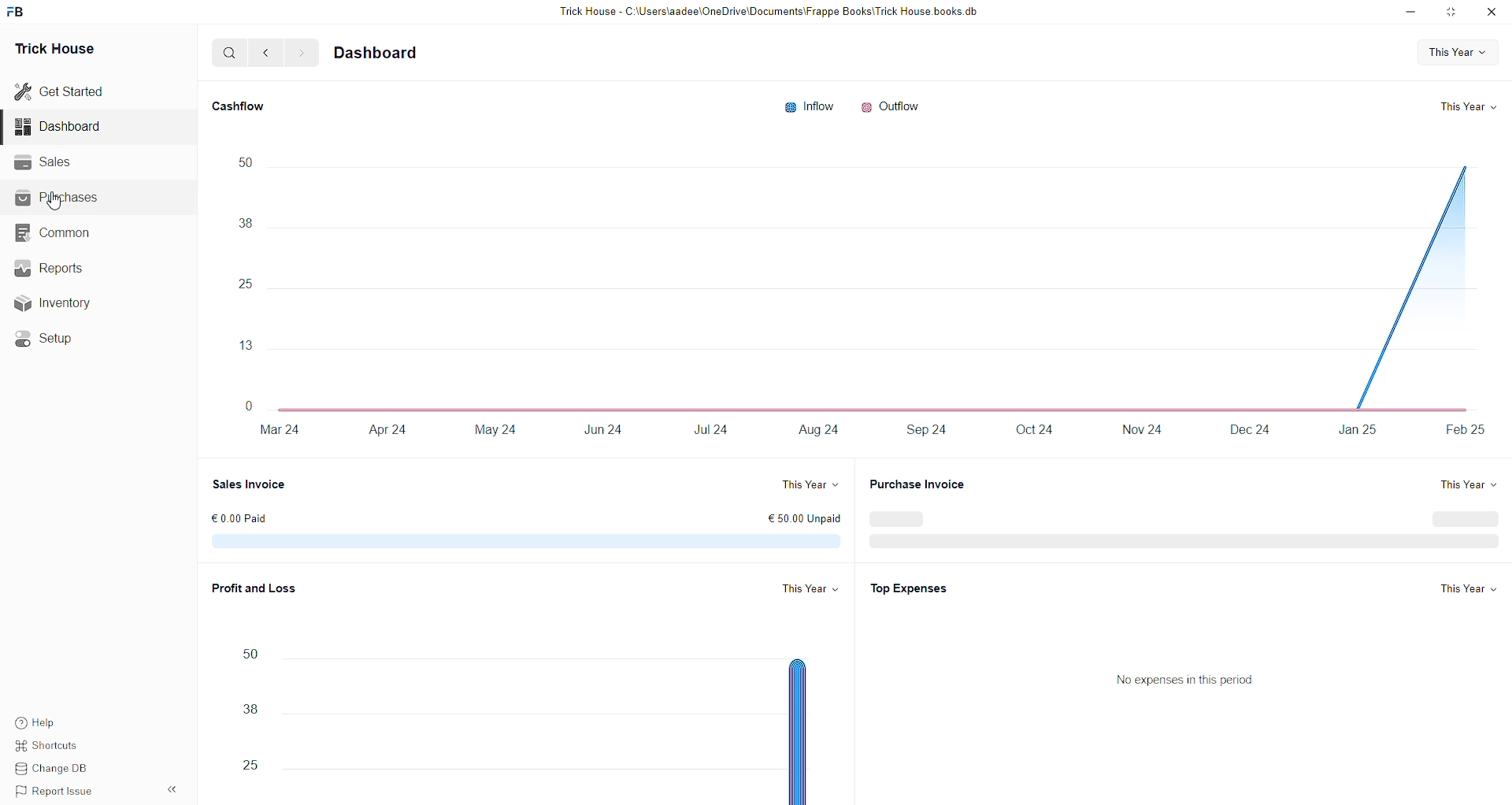 This screenshot has width=1512, height=805. I want to click on This Year , so click(1449, 50).